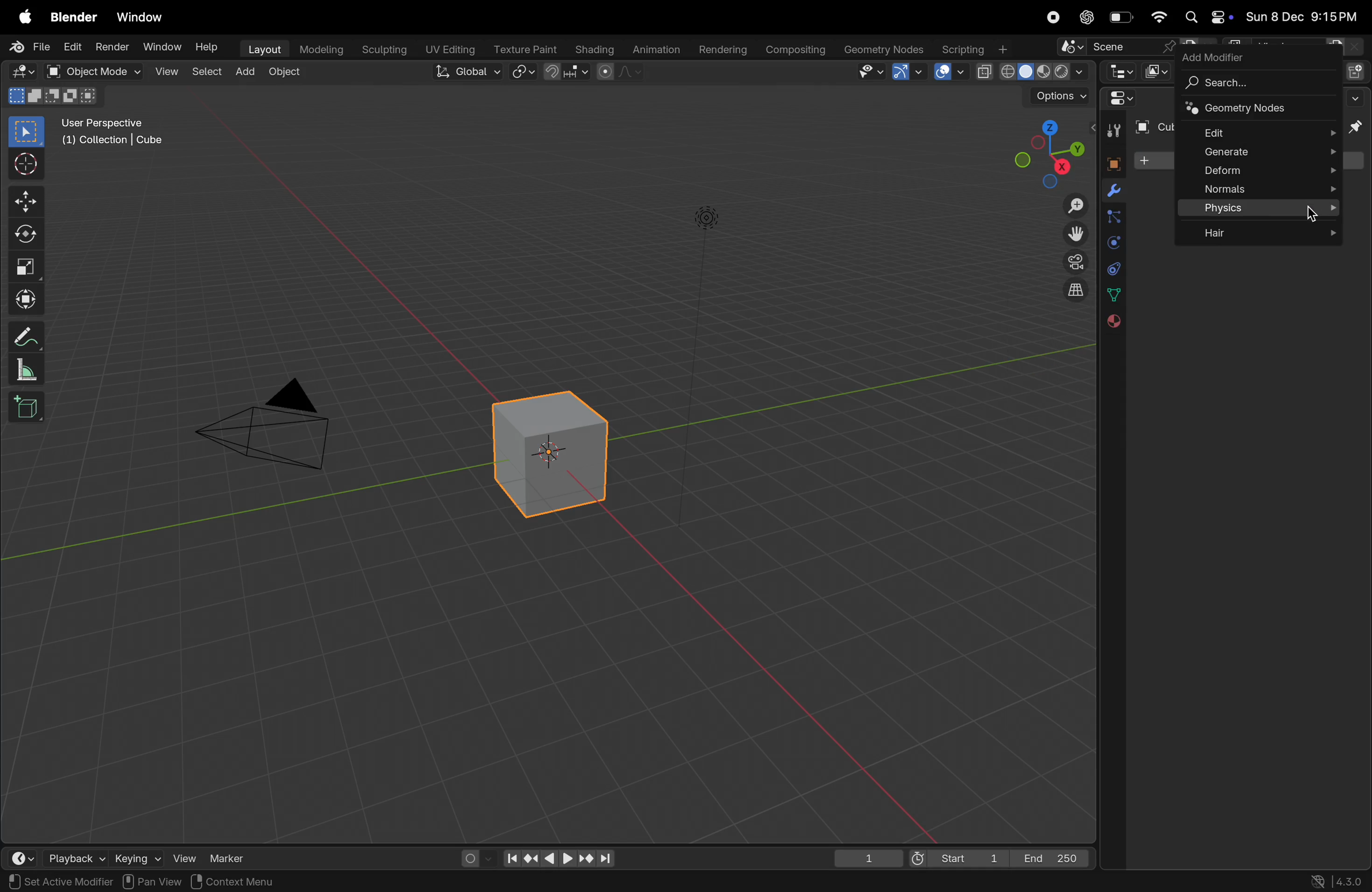 This screenshot has height=892, width=1372. What do you see at coordinates (1113, 267) in the screenshot?
I see `constraints` at bounding box center [1113, 267].